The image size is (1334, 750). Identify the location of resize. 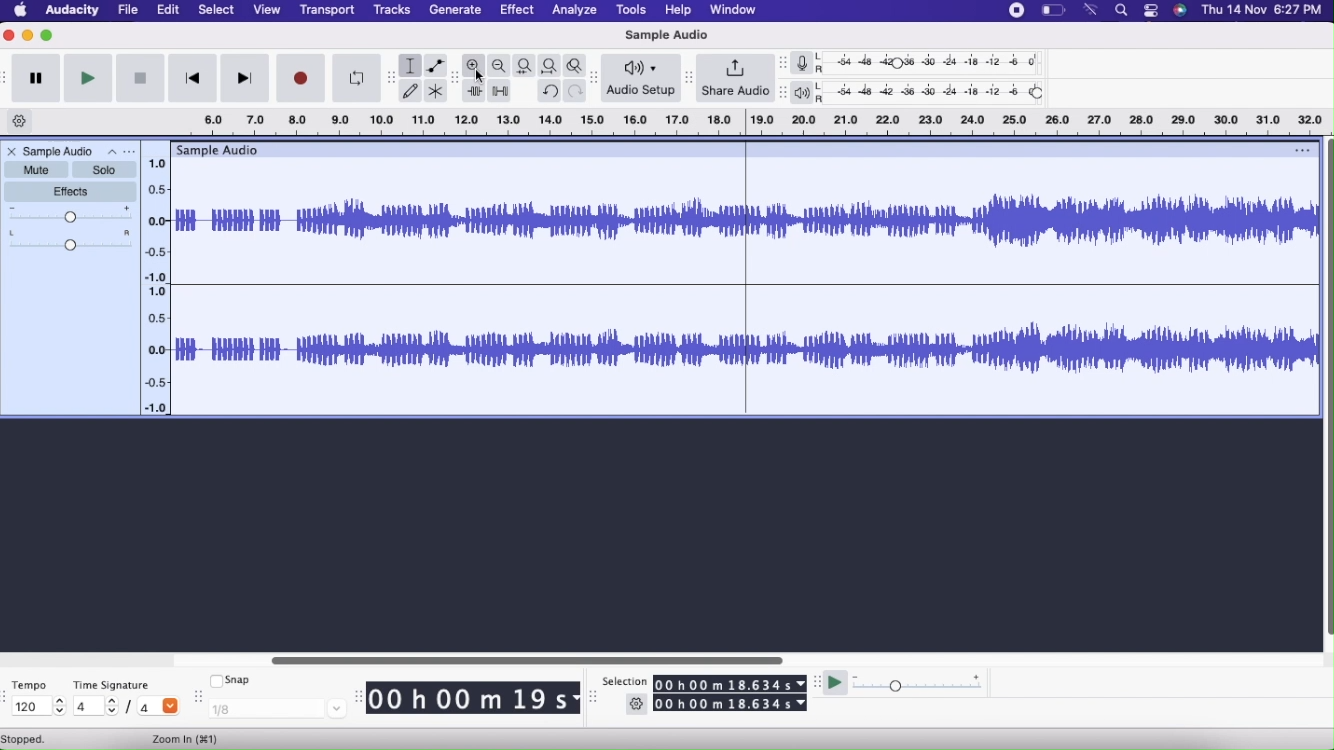
(817, 684).